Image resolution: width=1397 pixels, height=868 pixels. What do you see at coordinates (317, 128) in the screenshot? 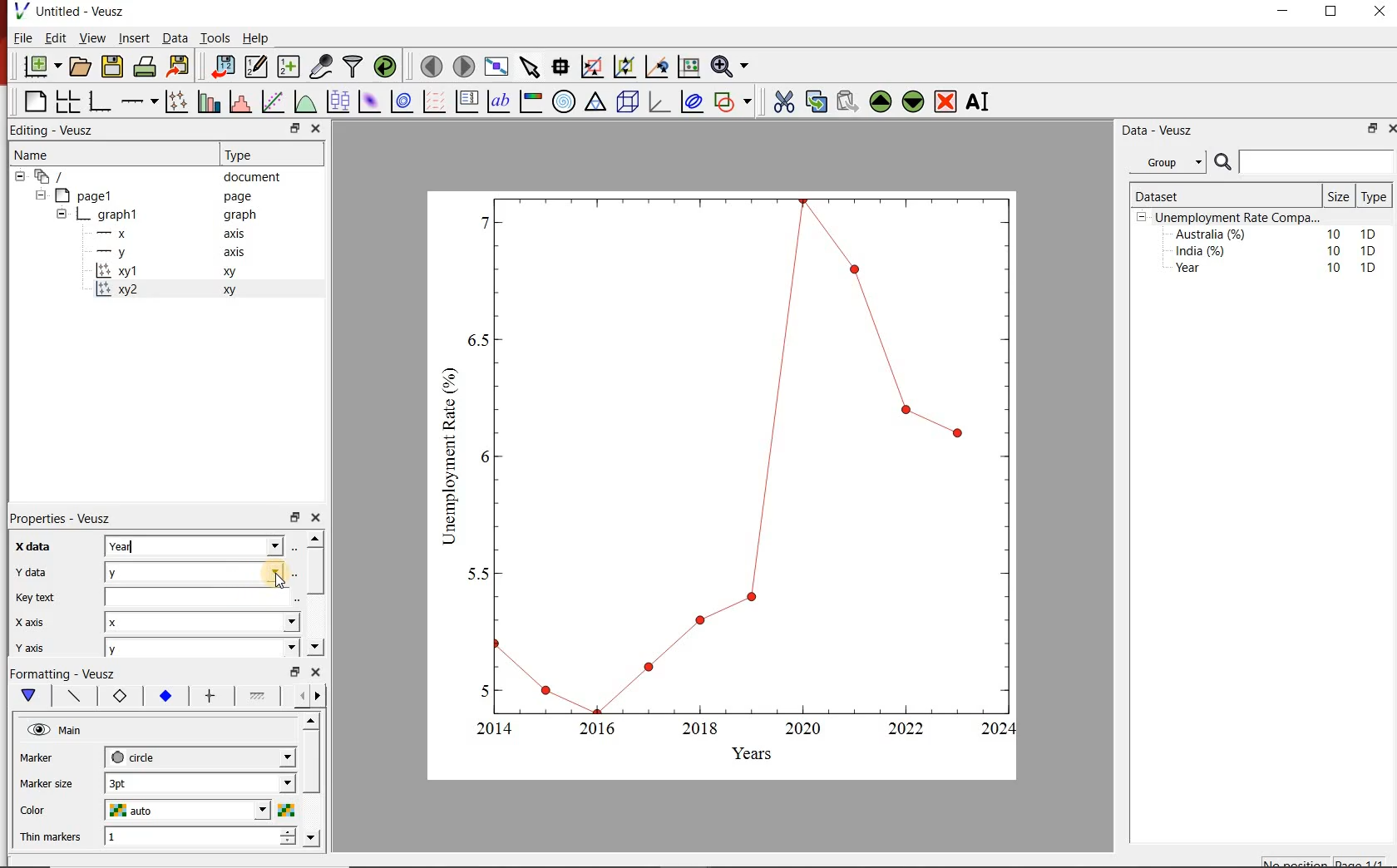
I see `close` at bounding box center [317, 128].